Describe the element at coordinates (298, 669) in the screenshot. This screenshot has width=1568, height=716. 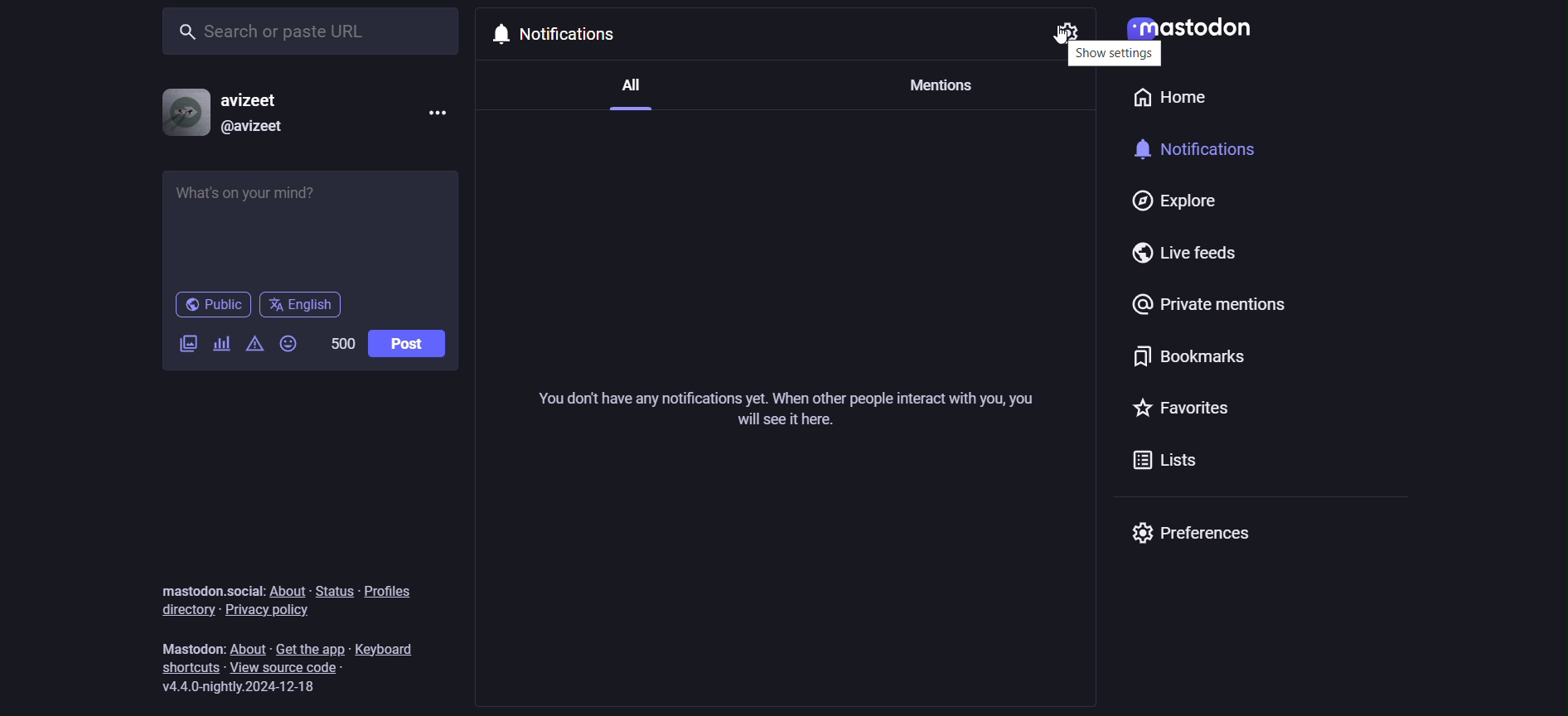
I see `view source code` at that location.